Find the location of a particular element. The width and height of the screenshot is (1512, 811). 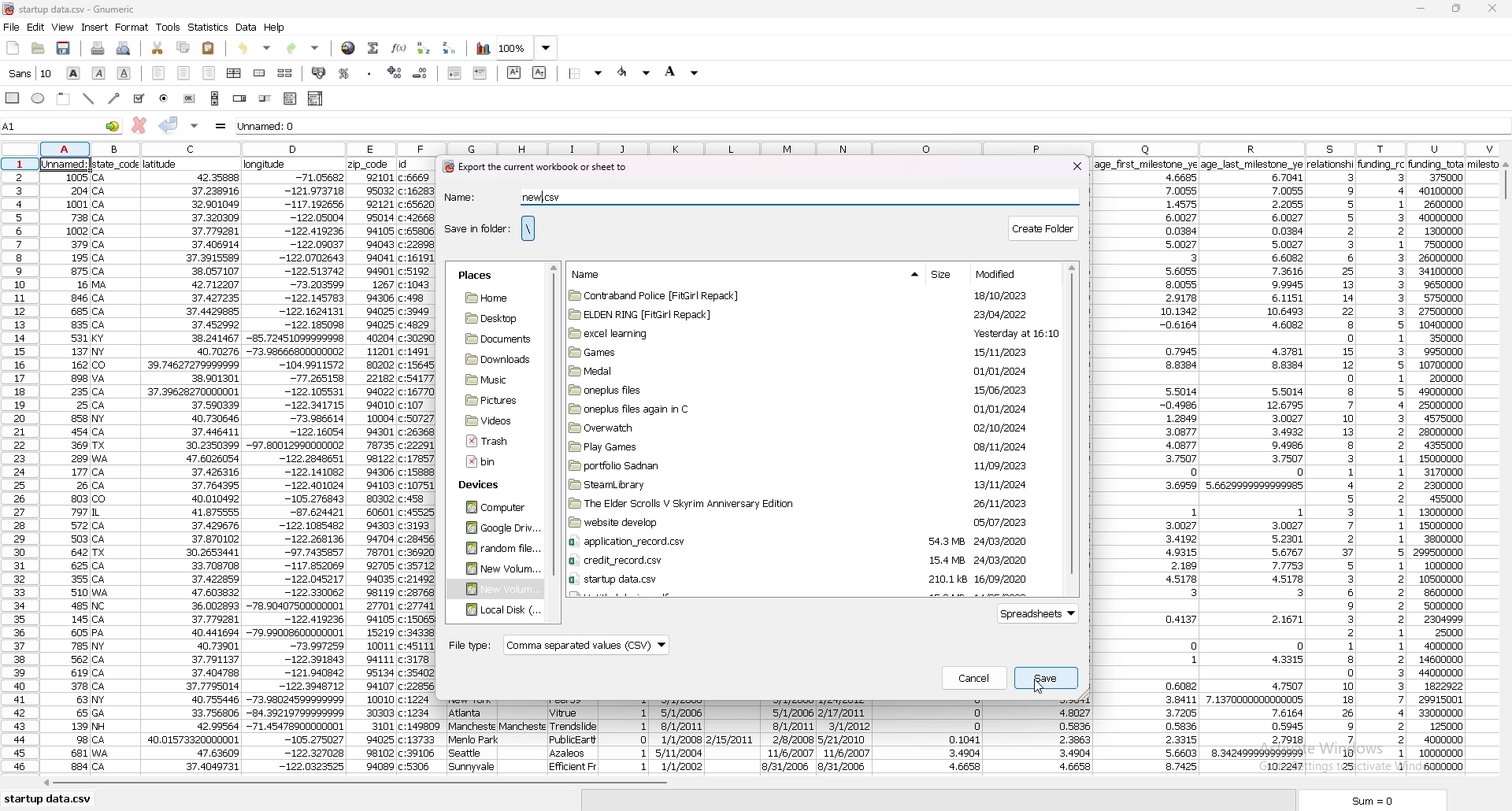

data is located at coordinates (1039, 737).